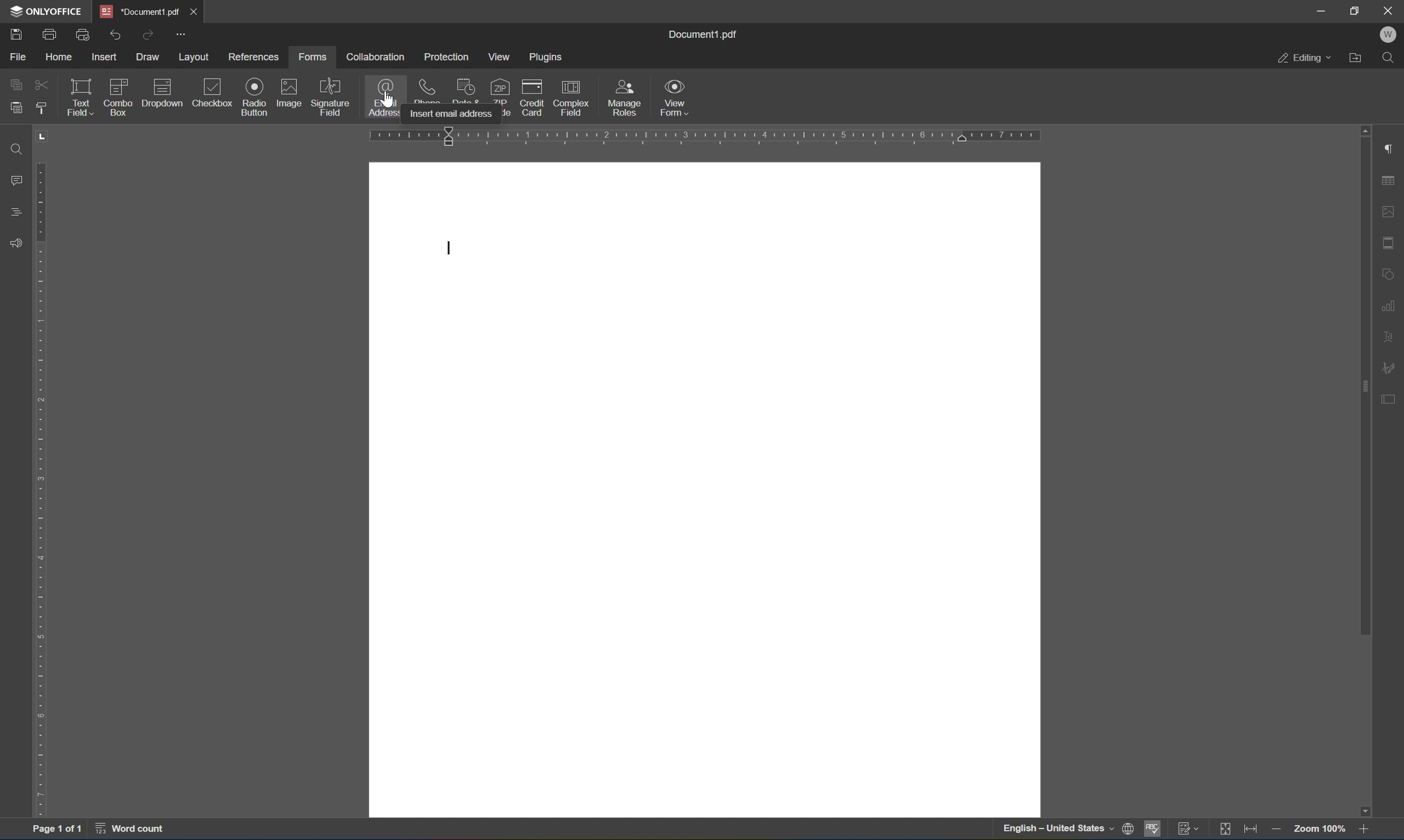 The image size is (1404, 840). Describe the element at coordinates (43, 109) in the screenshot. I see `copy style` at that location.